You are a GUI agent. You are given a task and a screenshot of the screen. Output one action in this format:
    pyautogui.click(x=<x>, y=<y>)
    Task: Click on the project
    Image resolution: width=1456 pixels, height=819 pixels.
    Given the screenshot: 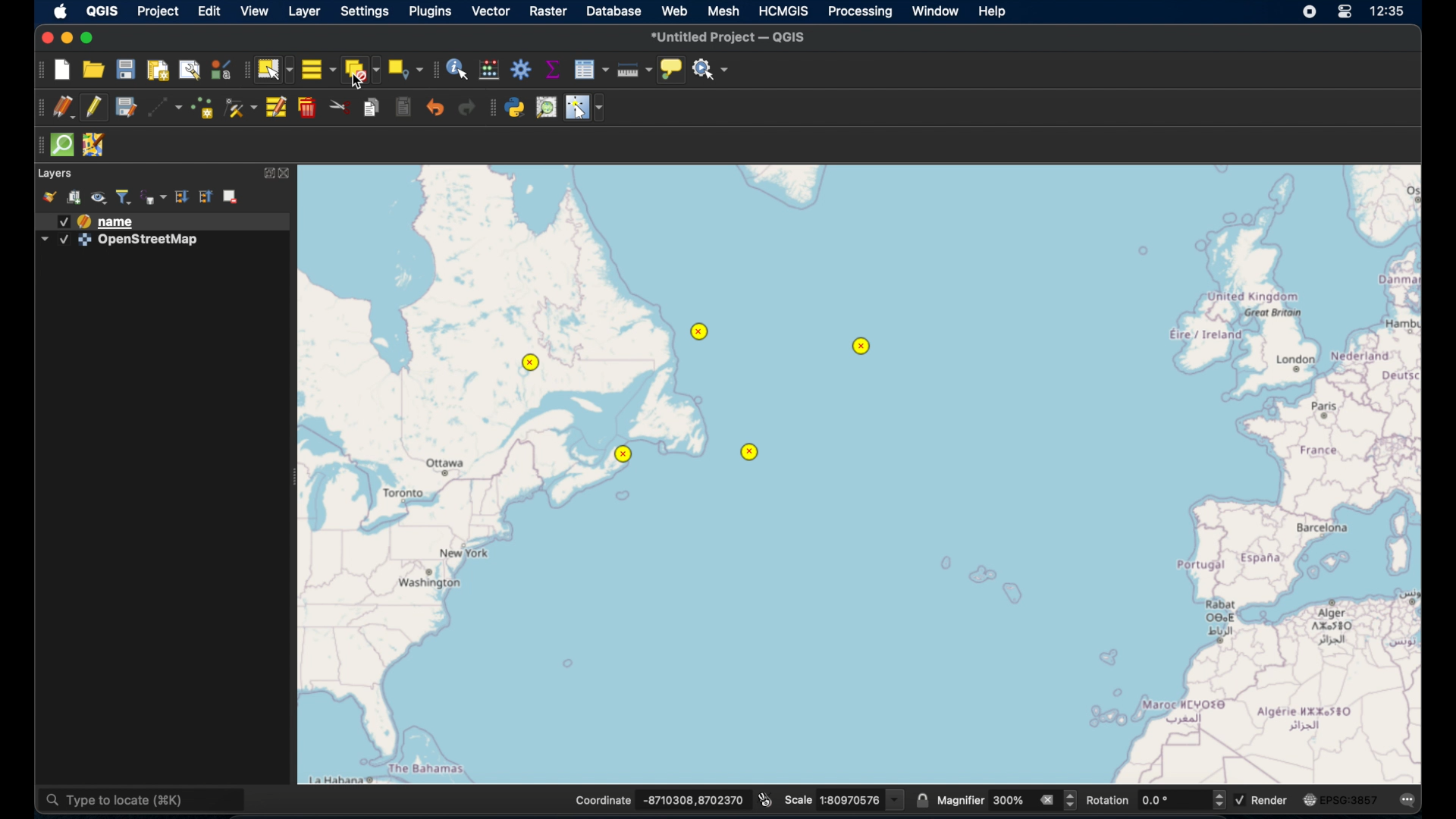 What is the action you would take?
    pyautogui.click(x=158, y=14)
    